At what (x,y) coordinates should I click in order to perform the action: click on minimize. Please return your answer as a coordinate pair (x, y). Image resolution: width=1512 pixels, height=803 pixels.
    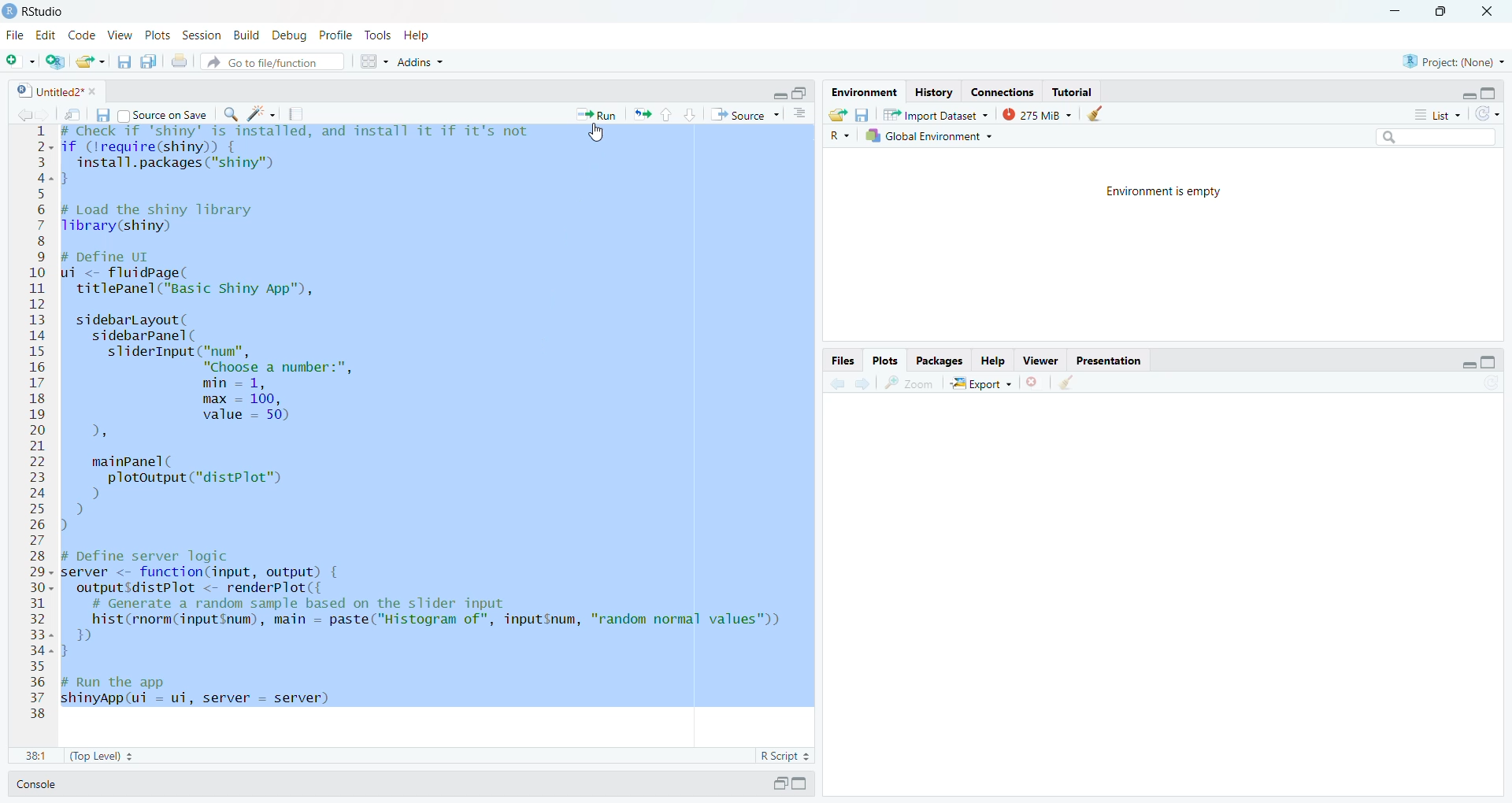
    Looking at the image, I should click on (1469, 364).